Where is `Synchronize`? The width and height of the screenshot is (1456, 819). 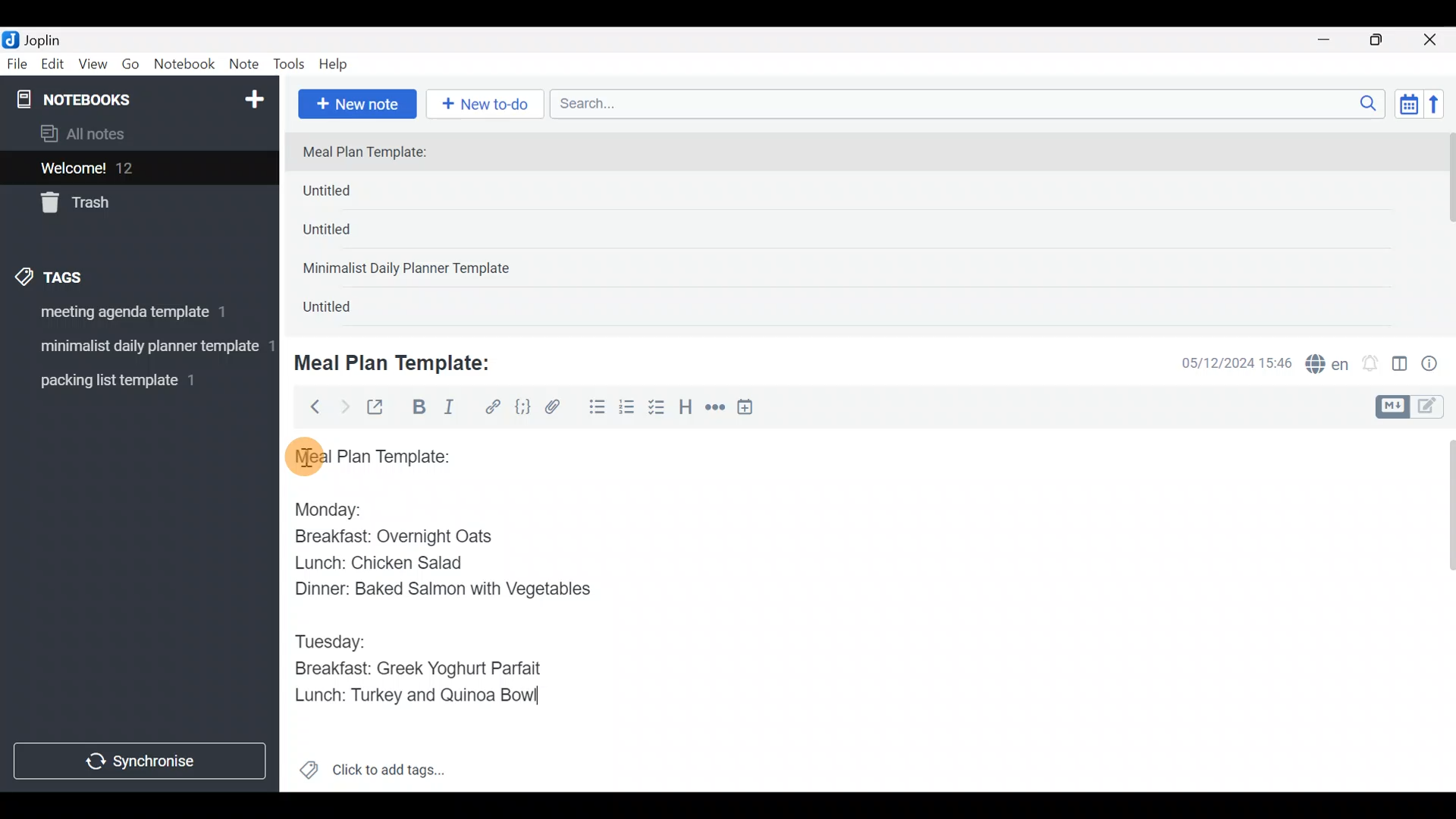 Synchronize is located at coordinates (142, 761).